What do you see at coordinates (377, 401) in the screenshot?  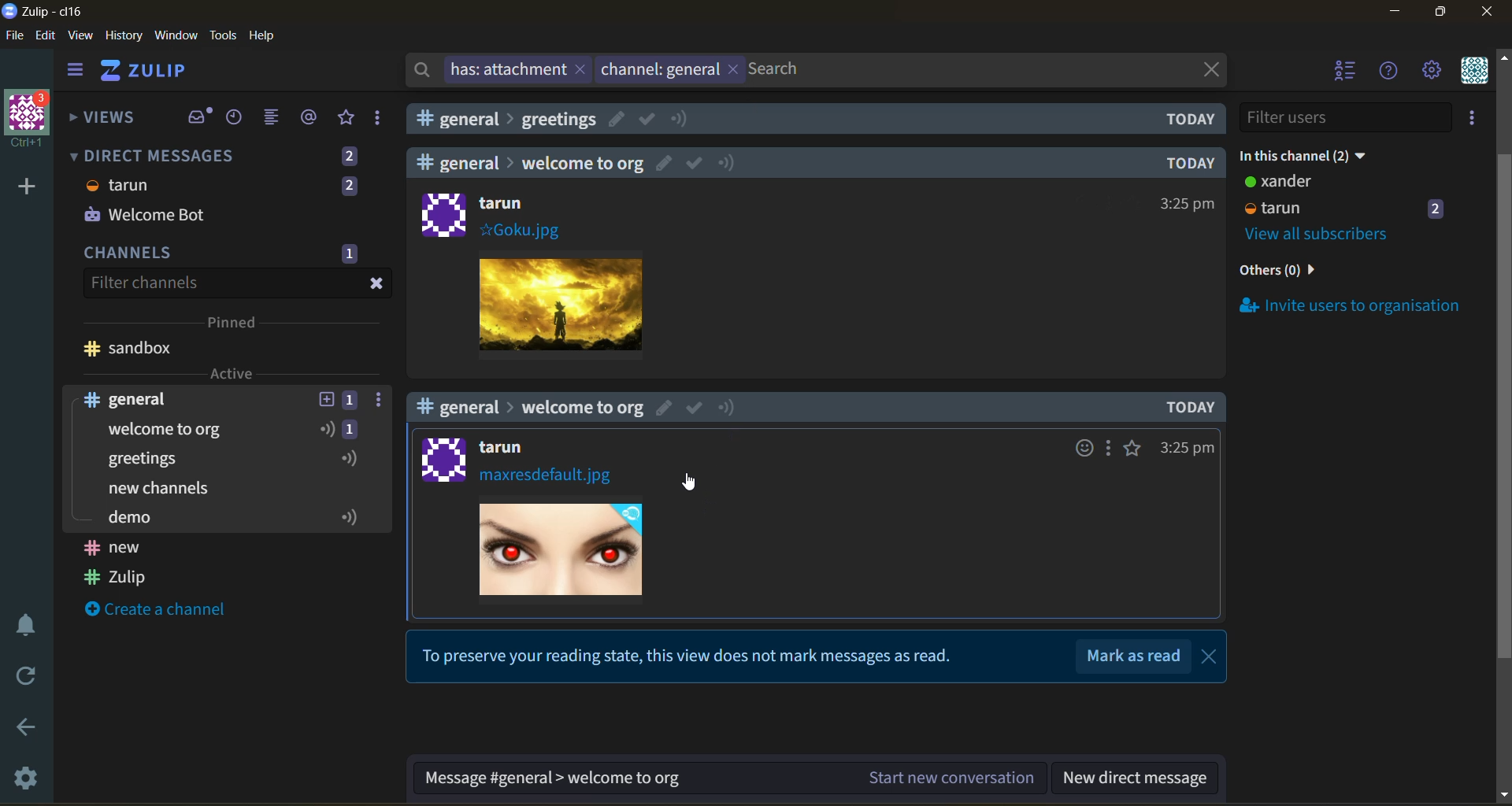 I see `more options` at bounding box center [377, 401].